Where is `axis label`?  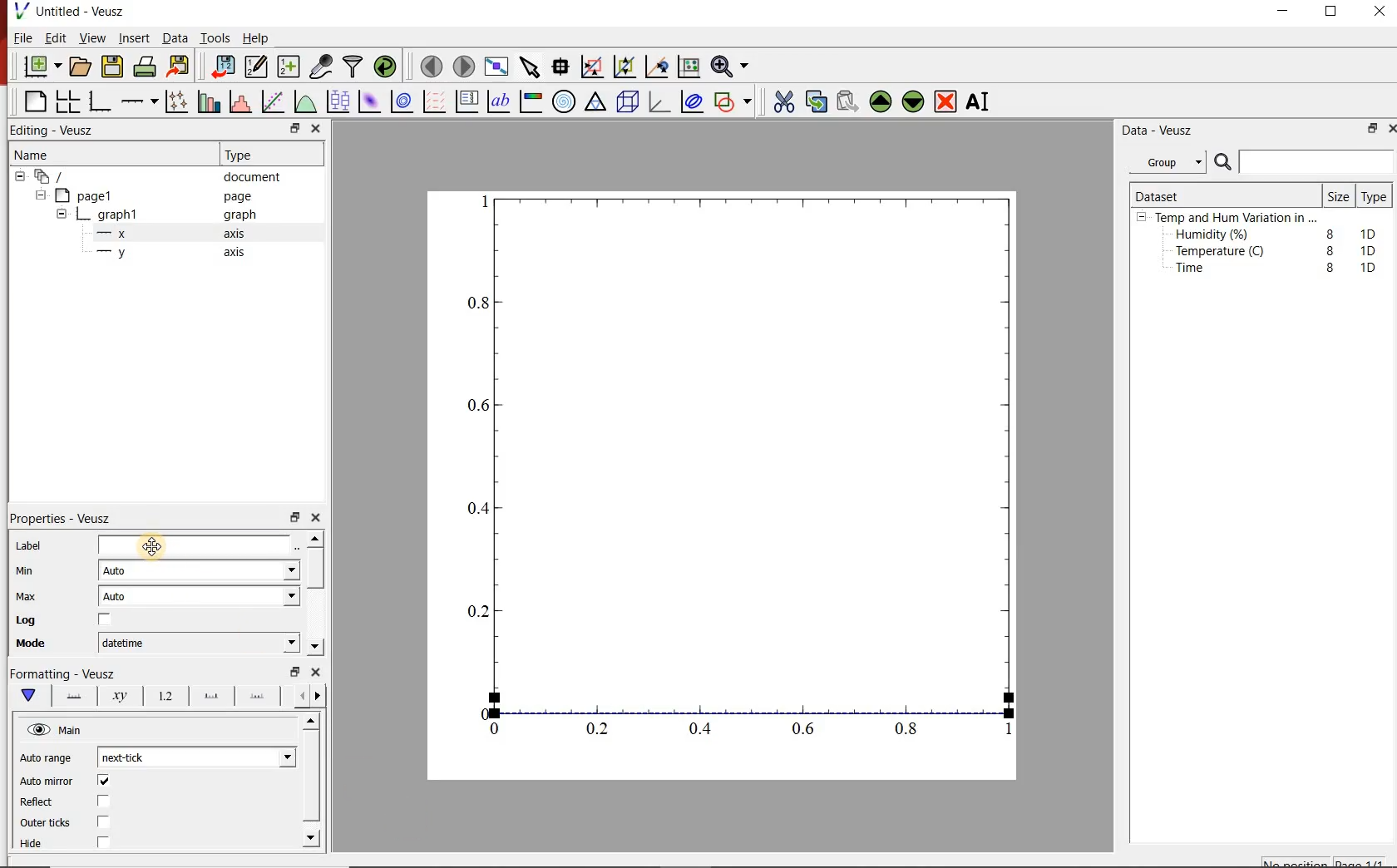
axis label is located at coordinates (121, 698).